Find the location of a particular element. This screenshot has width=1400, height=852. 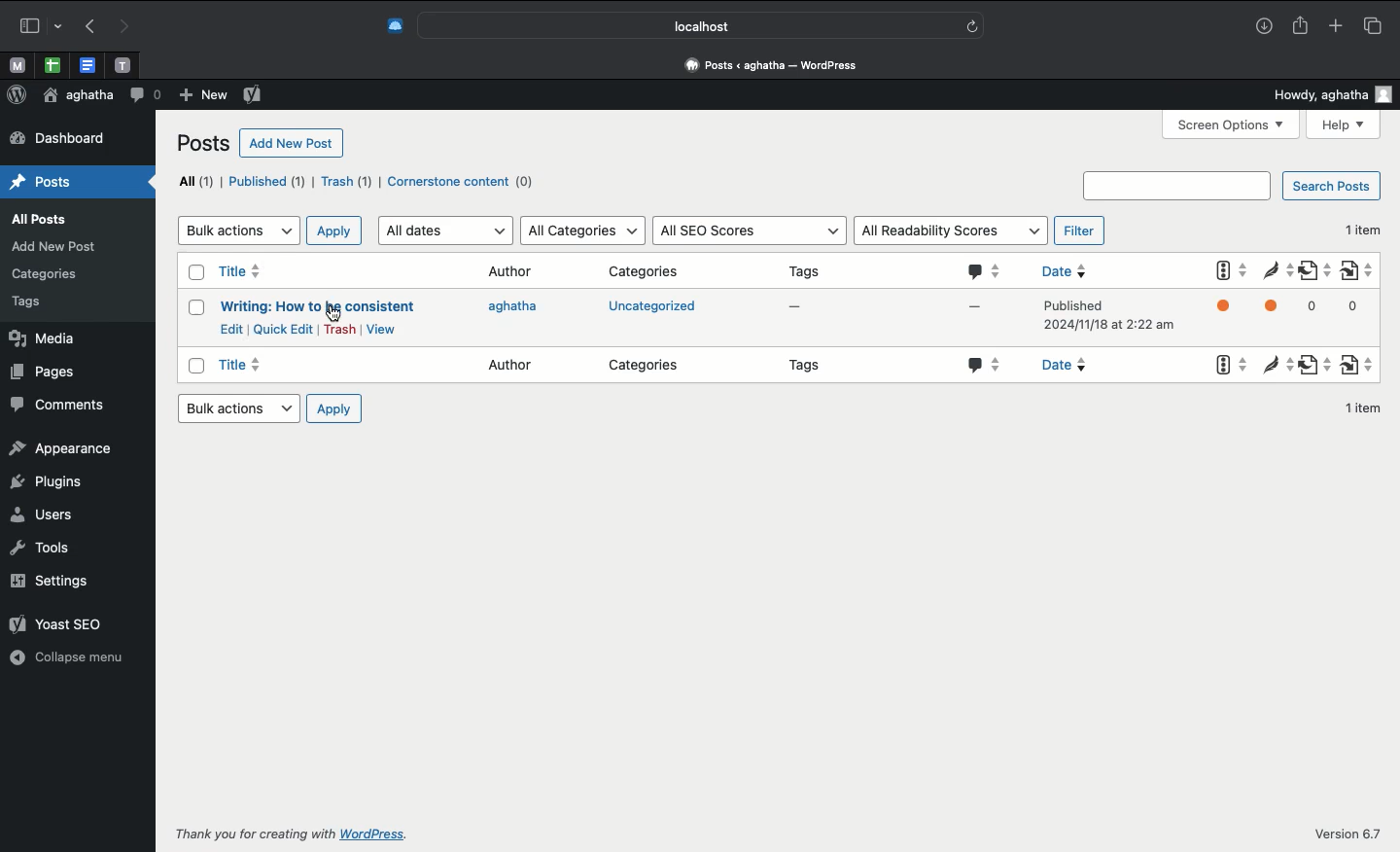

Apply is located at coordinates (334, 231).